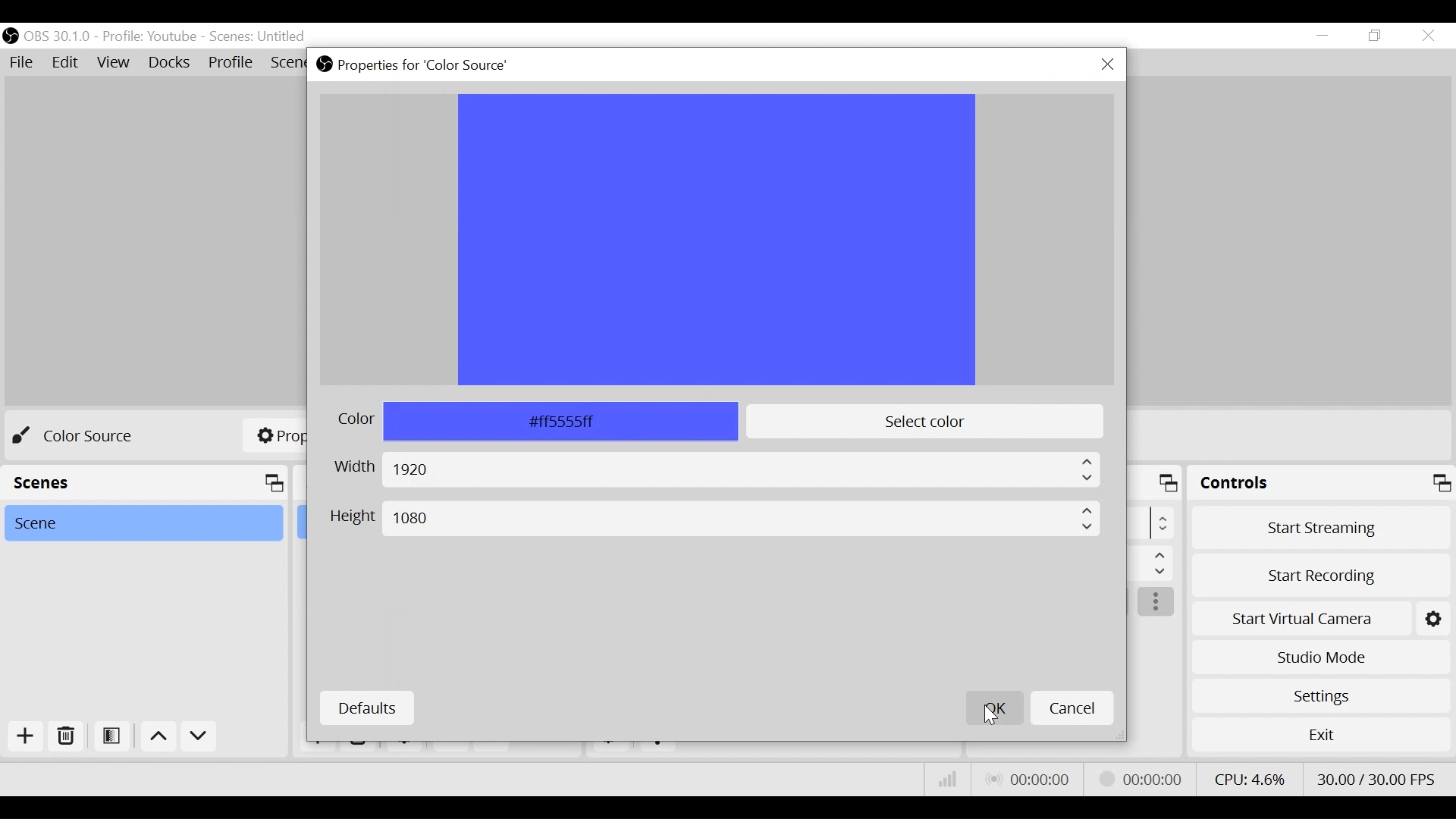  Describe the element at coordinates (1322, 696) in the screenshot. I see `Settings` at that location.